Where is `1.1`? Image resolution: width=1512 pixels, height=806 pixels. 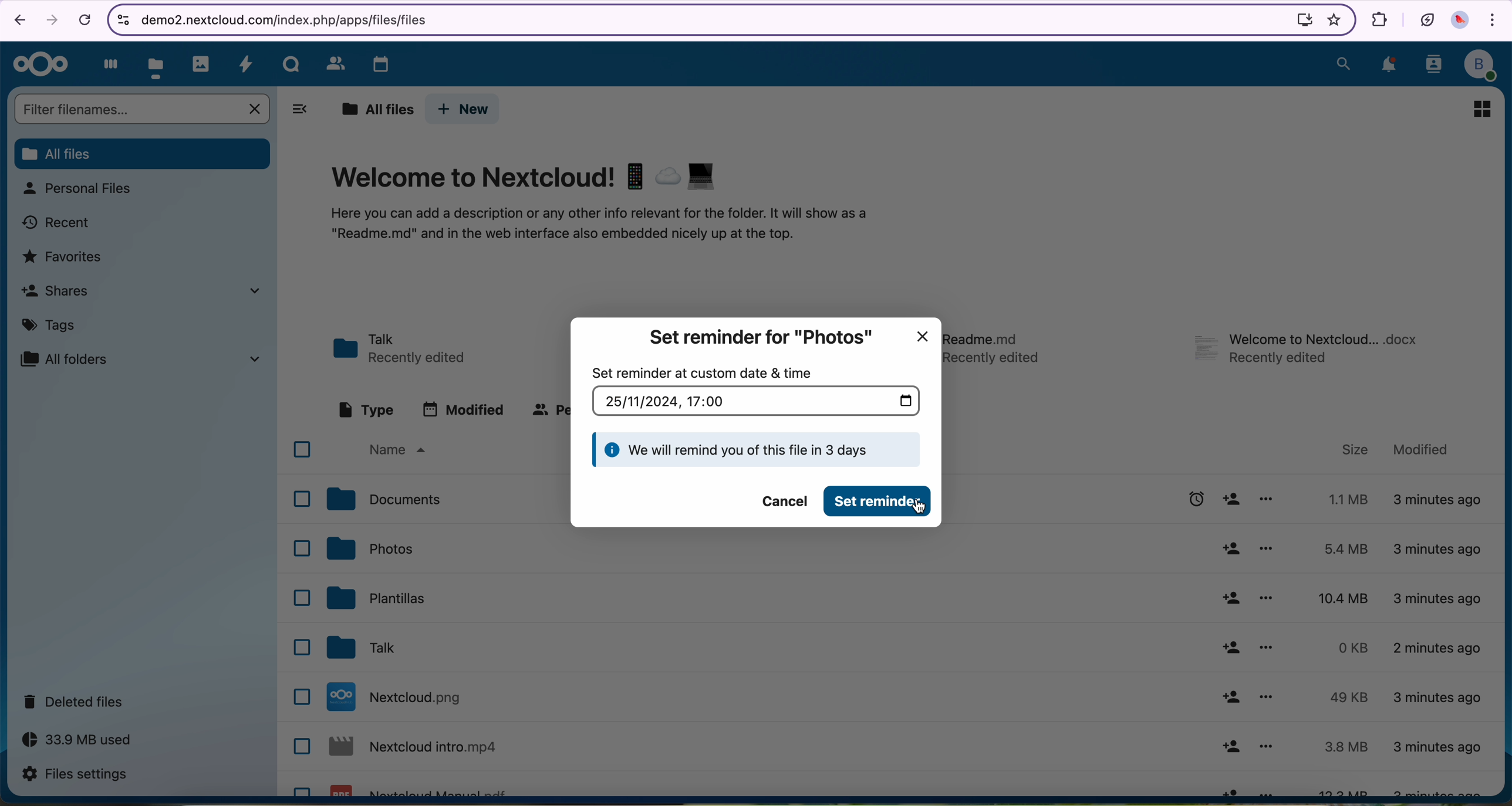 1.1 is located at coordinates (1344, 498).